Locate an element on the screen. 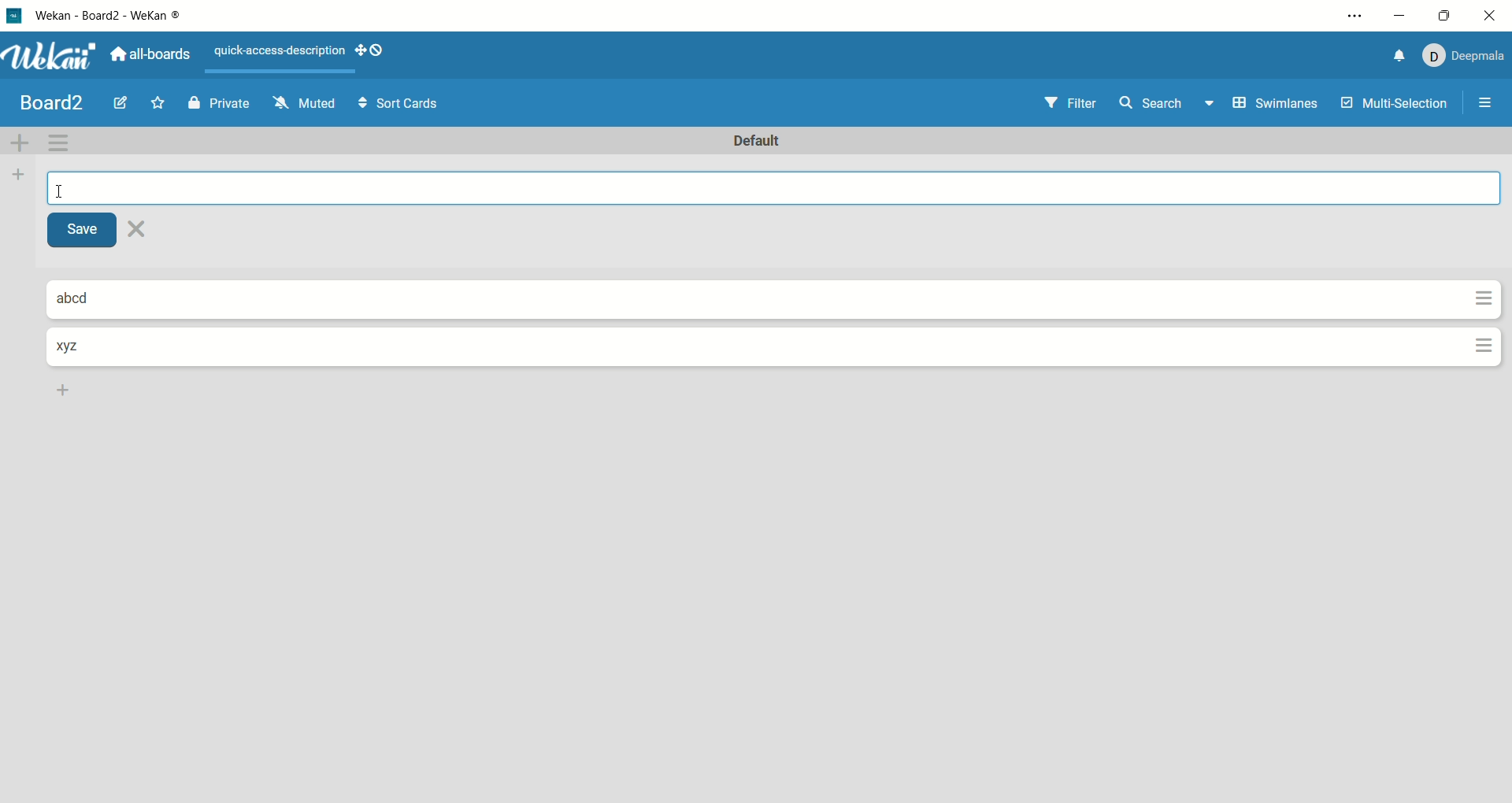 The height and width of the screenshot is (803, 1512). wekan-wekan is located at coordinates (116, 17).